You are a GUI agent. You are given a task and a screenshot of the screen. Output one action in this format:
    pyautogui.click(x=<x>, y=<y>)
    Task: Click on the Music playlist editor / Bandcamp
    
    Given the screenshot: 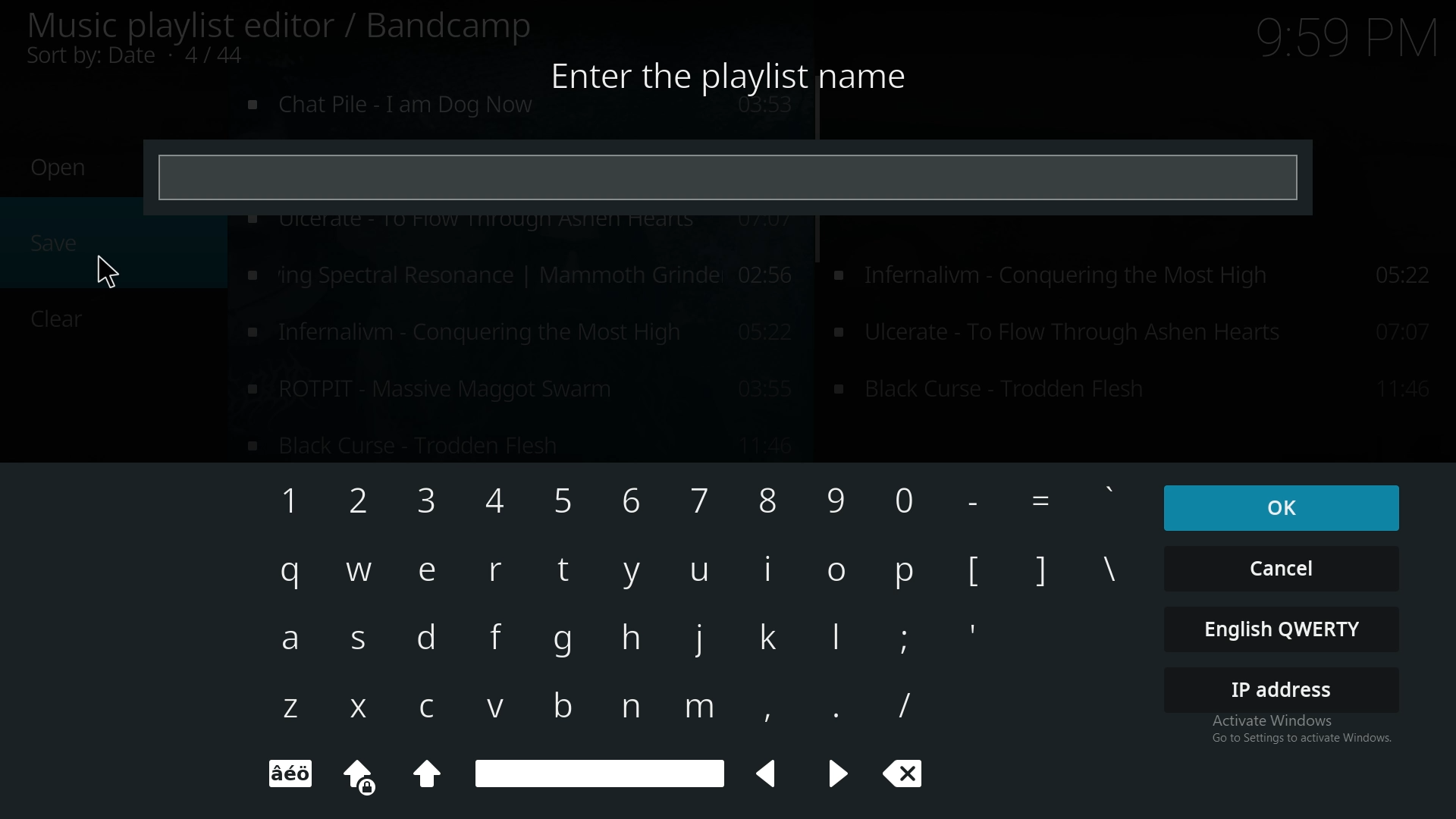 What is the action you would take?
    pyautogui.click(x=281, y=26)
    